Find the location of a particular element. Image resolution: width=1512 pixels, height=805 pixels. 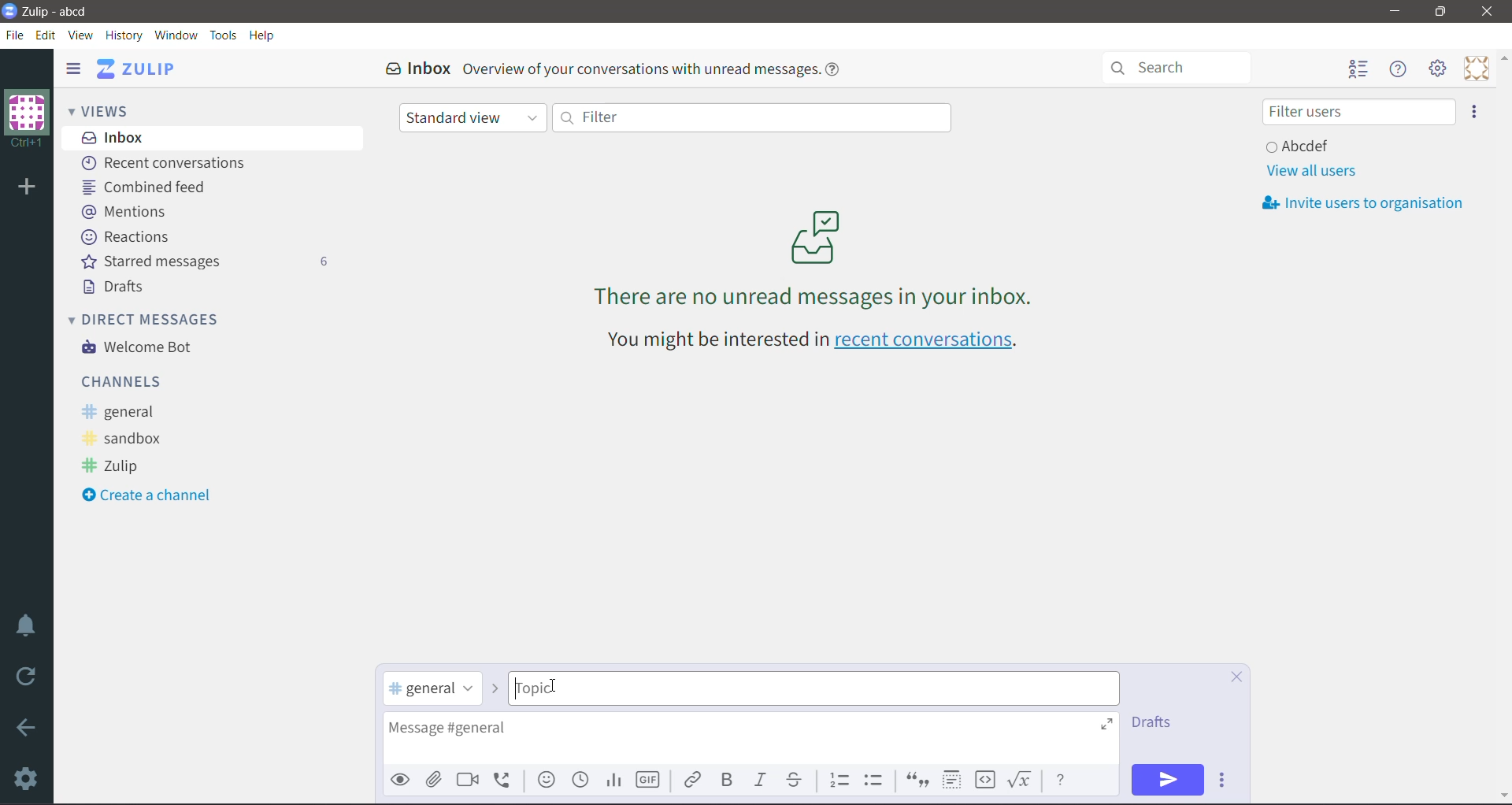

Main Menu is located at coordinates (1439, 69).